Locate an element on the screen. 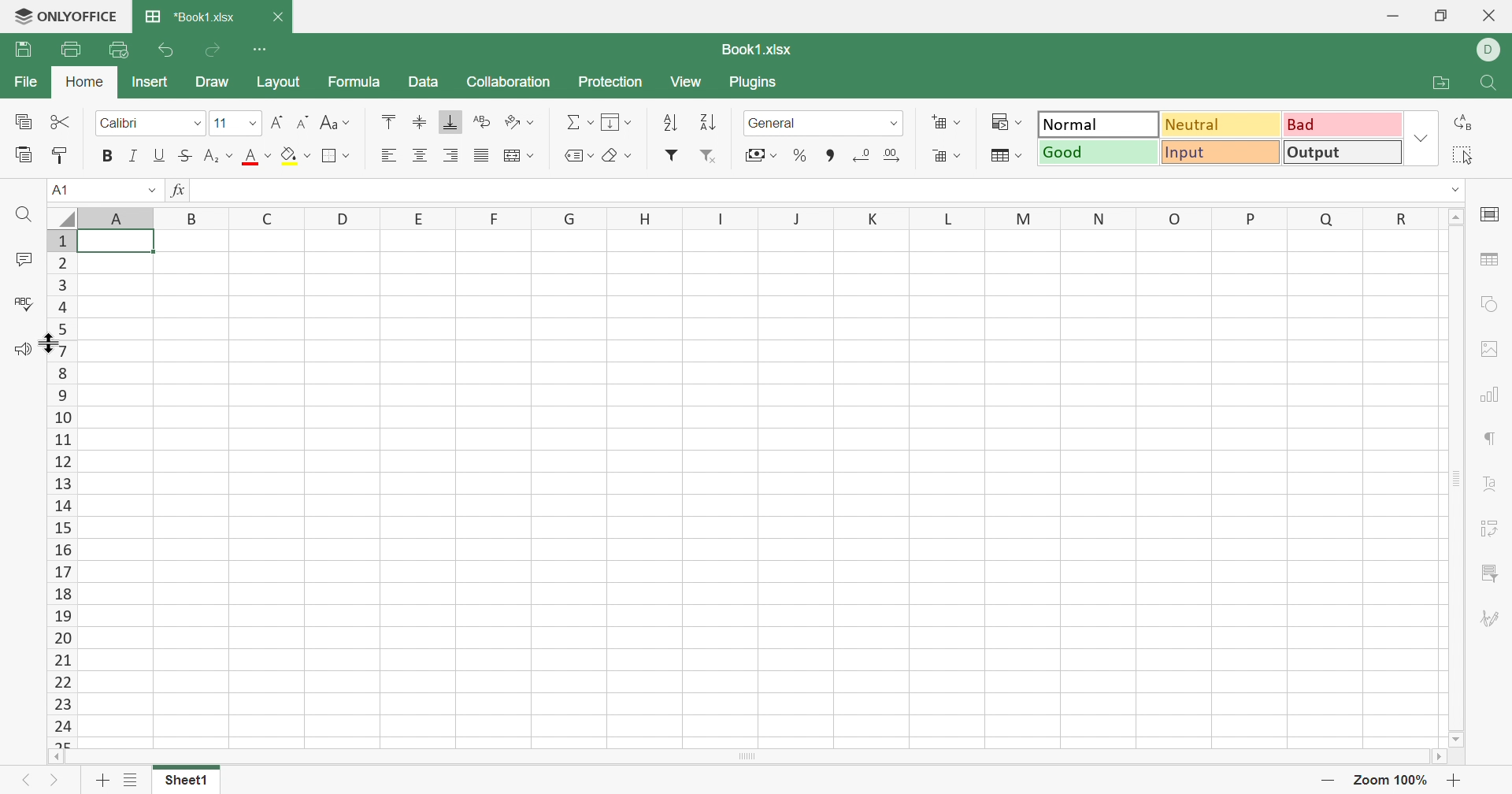  Paste is located at coordinates (24, 155).